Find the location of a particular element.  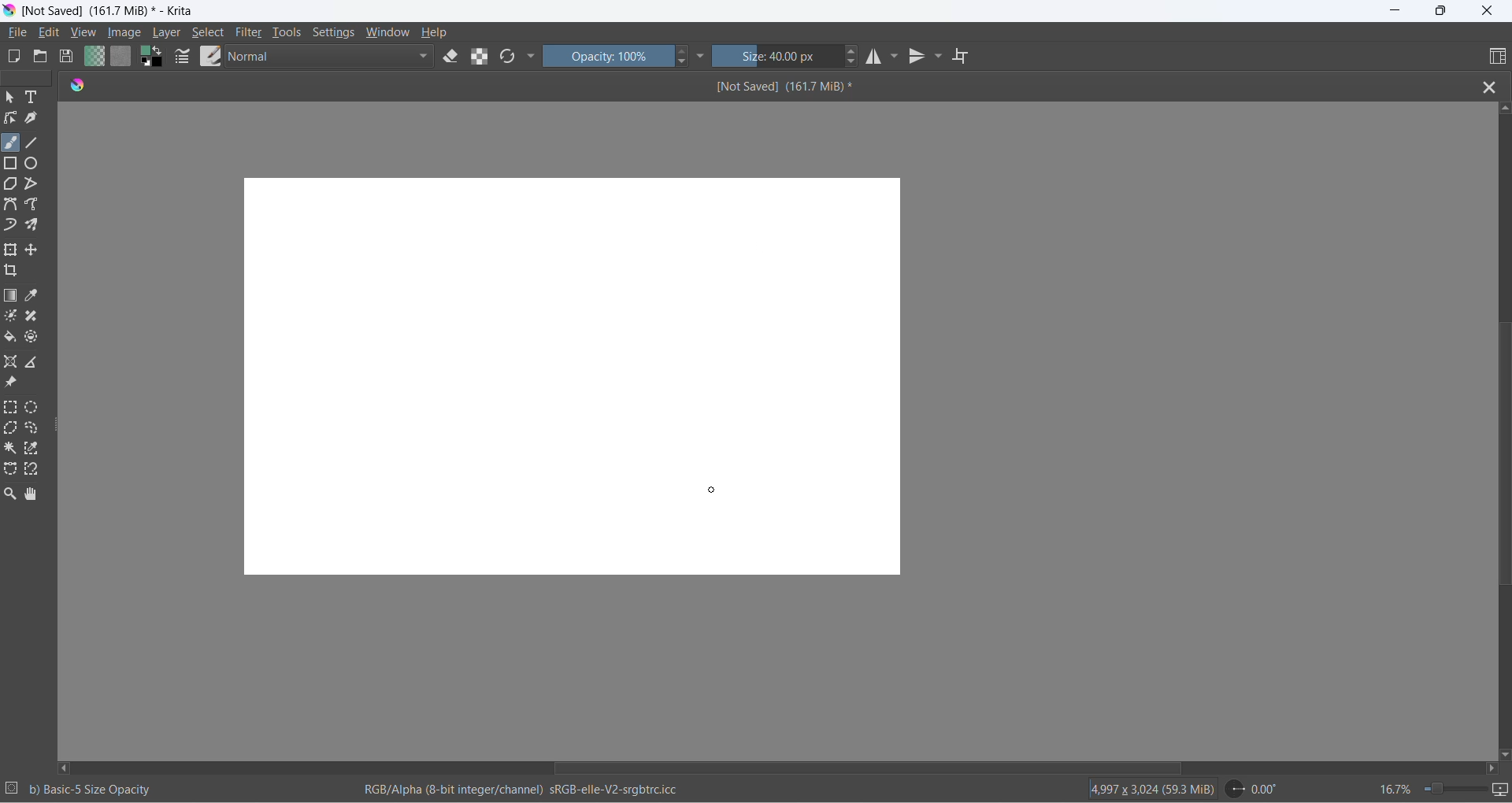

freehand selection tool is located at coordinates (35, 429).